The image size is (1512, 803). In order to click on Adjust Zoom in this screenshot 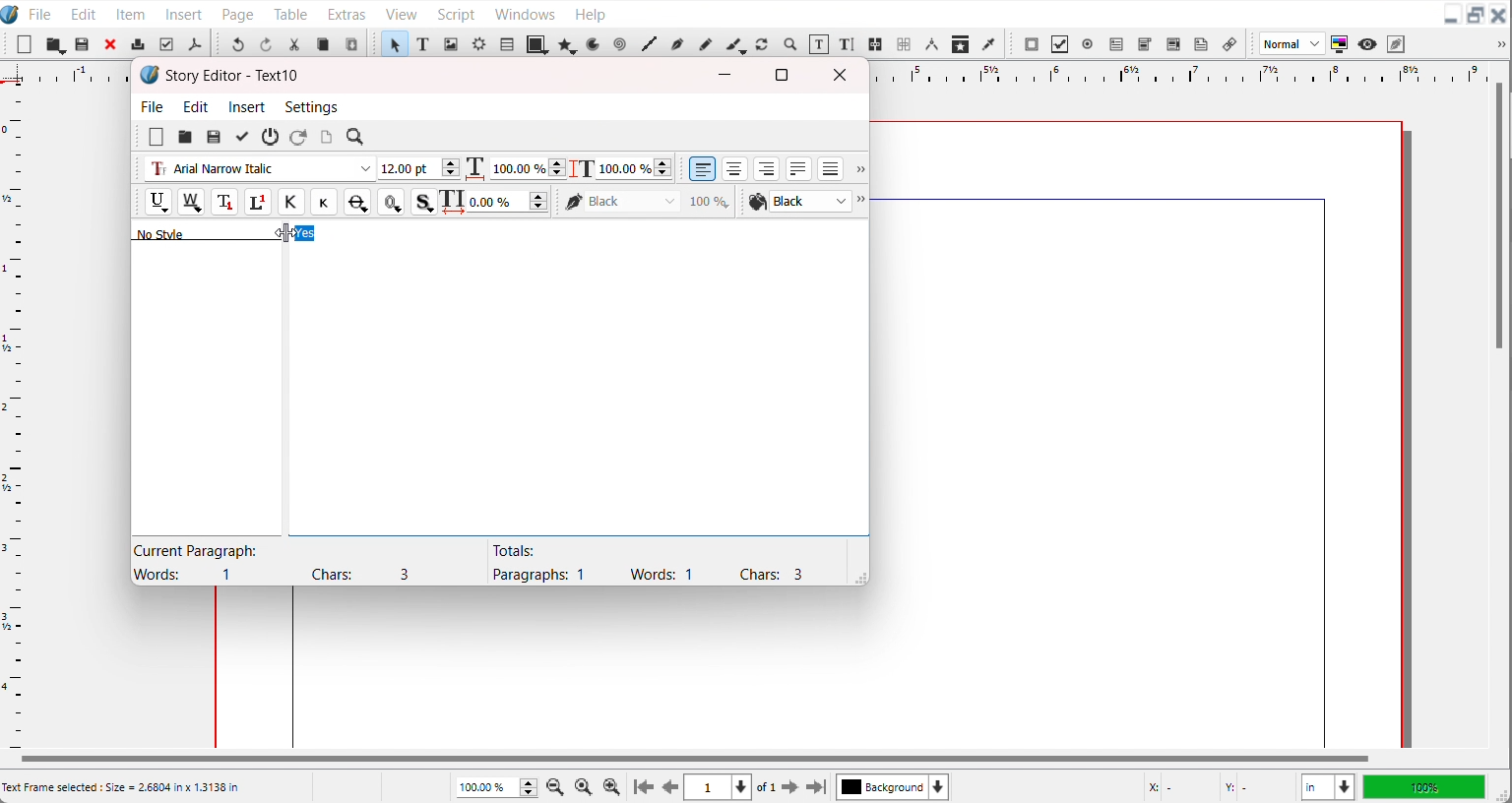, I will do `click(498, 787)`.